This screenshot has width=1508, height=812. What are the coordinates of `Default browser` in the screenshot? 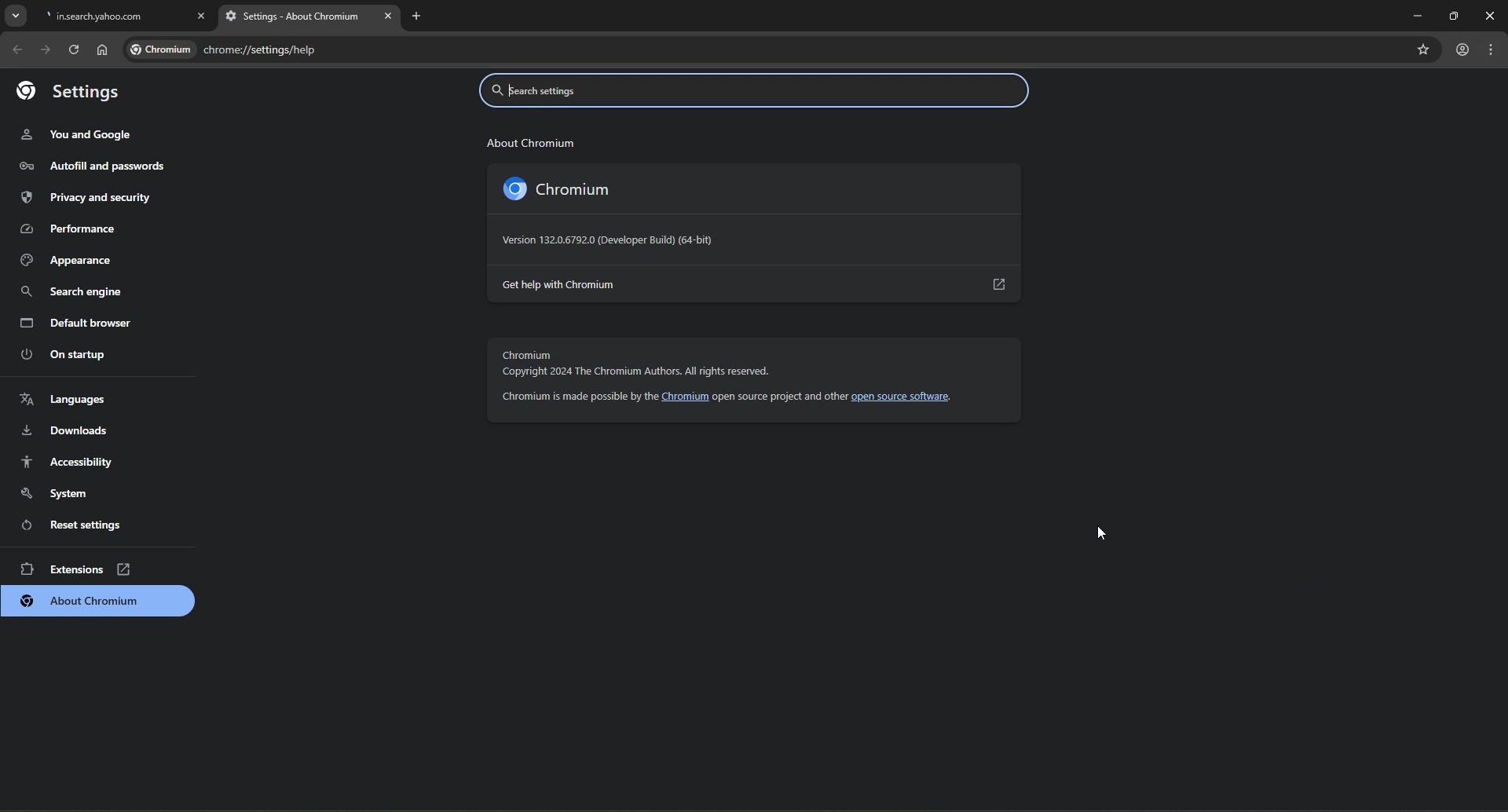 It's located at (82, 320).